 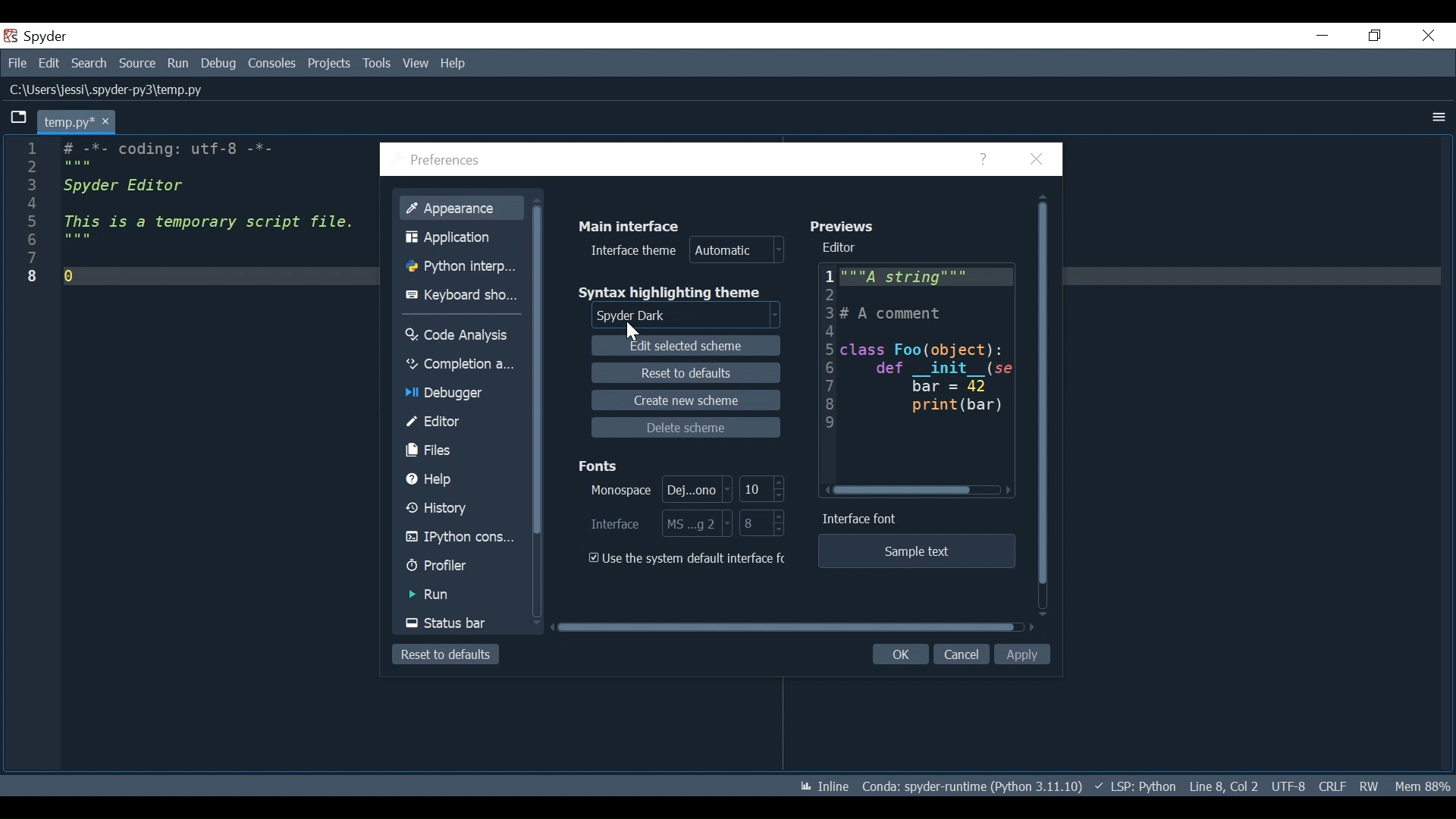 What do you see at coordinates (463, 450) in the screenshot?
I see `Files` at bounding box center [463, 450].